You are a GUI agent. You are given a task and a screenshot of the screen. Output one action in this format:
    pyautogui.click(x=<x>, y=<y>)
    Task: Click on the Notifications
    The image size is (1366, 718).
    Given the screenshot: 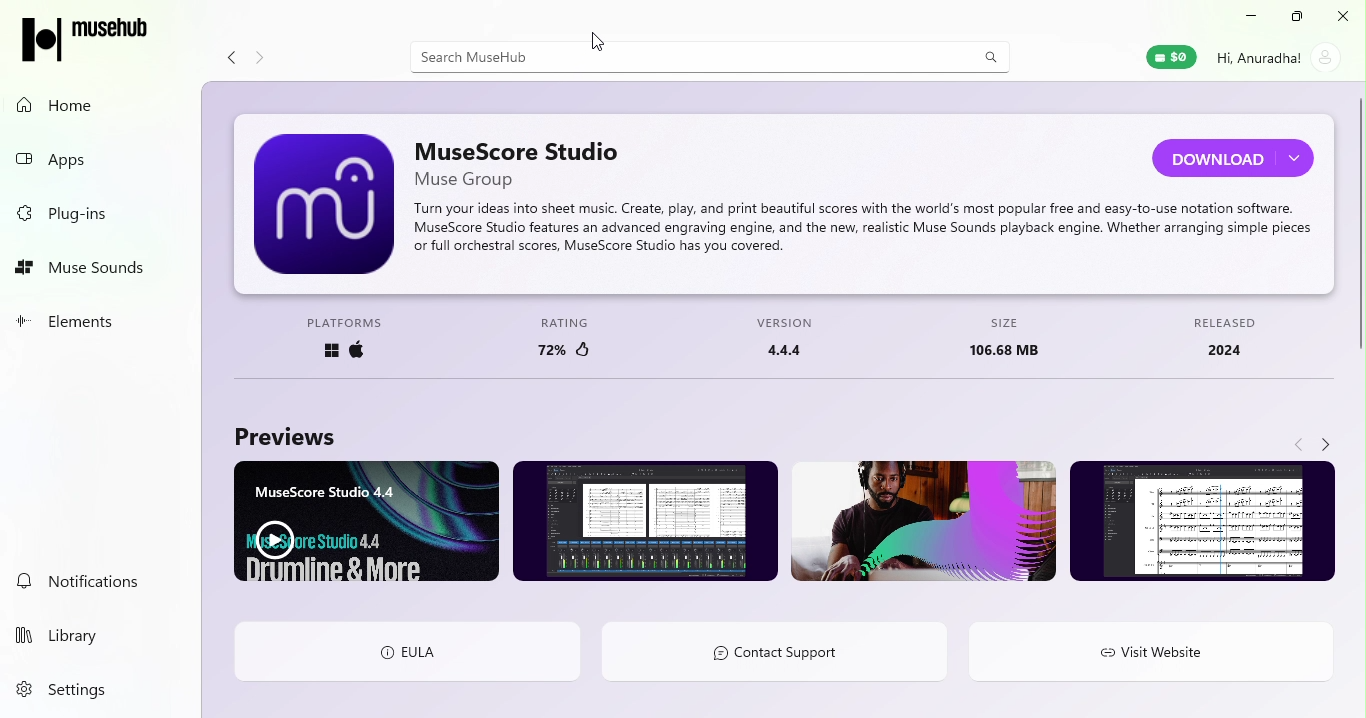 What is the action you would take?
    pyautogui.click(x=95, y=582)
    